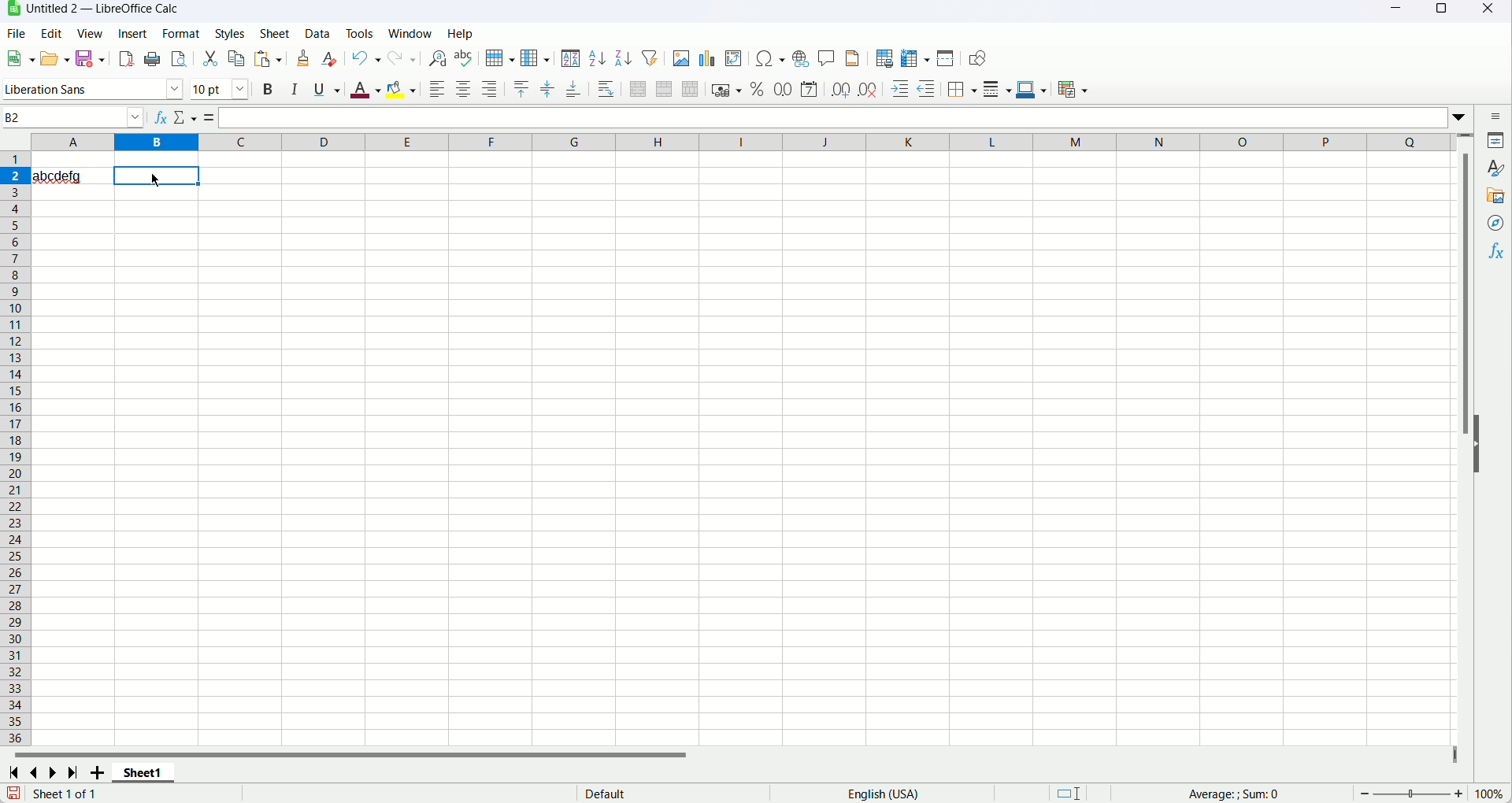 The image size is (1512, 803). Describe the element at coordinates (596, 59) in the screenshot. I see `sort ascending` at that location.